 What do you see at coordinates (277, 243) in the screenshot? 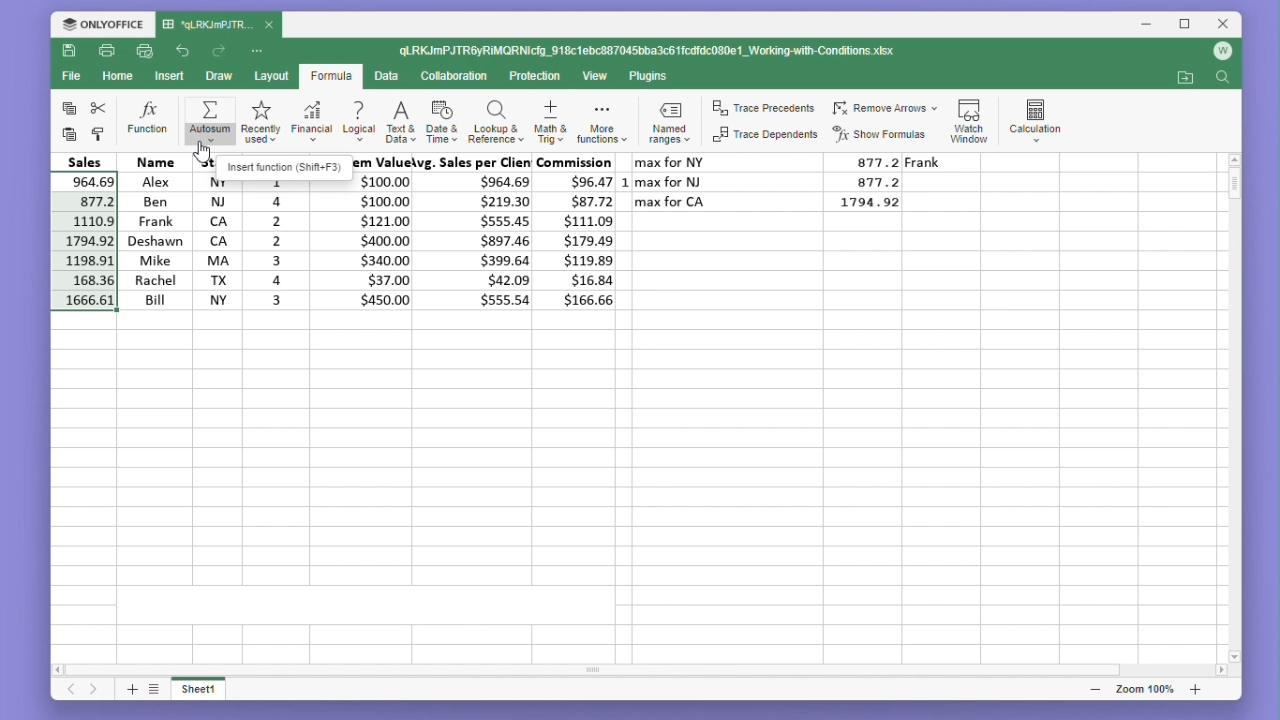
I see `no. clients` at bounding box center [277, 243].